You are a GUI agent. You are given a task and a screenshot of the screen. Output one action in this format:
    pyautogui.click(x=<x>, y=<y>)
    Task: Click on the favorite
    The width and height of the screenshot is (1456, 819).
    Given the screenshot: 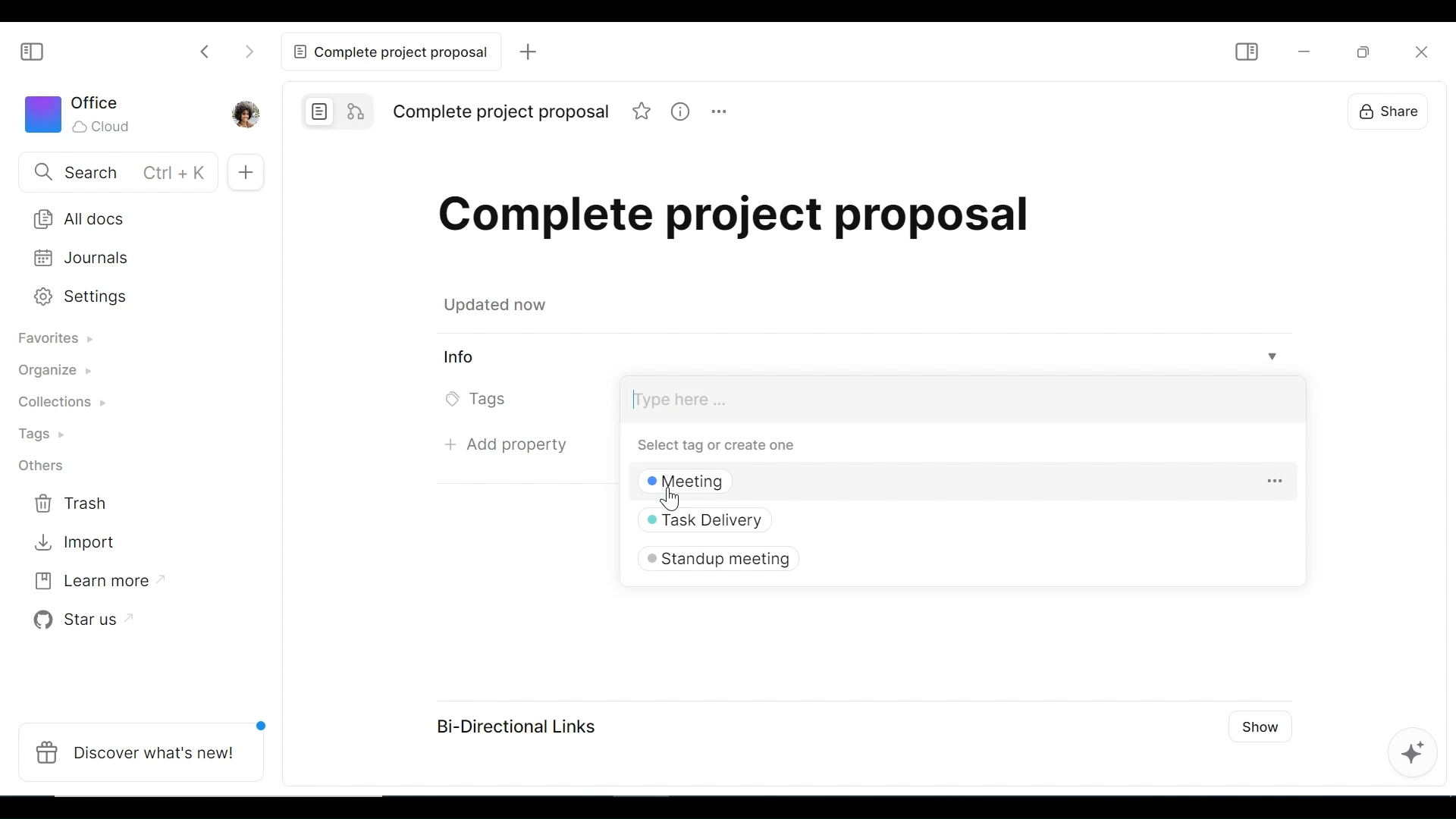 What is the action you would take?
    pyautogui.click(x=643, y=114)
    